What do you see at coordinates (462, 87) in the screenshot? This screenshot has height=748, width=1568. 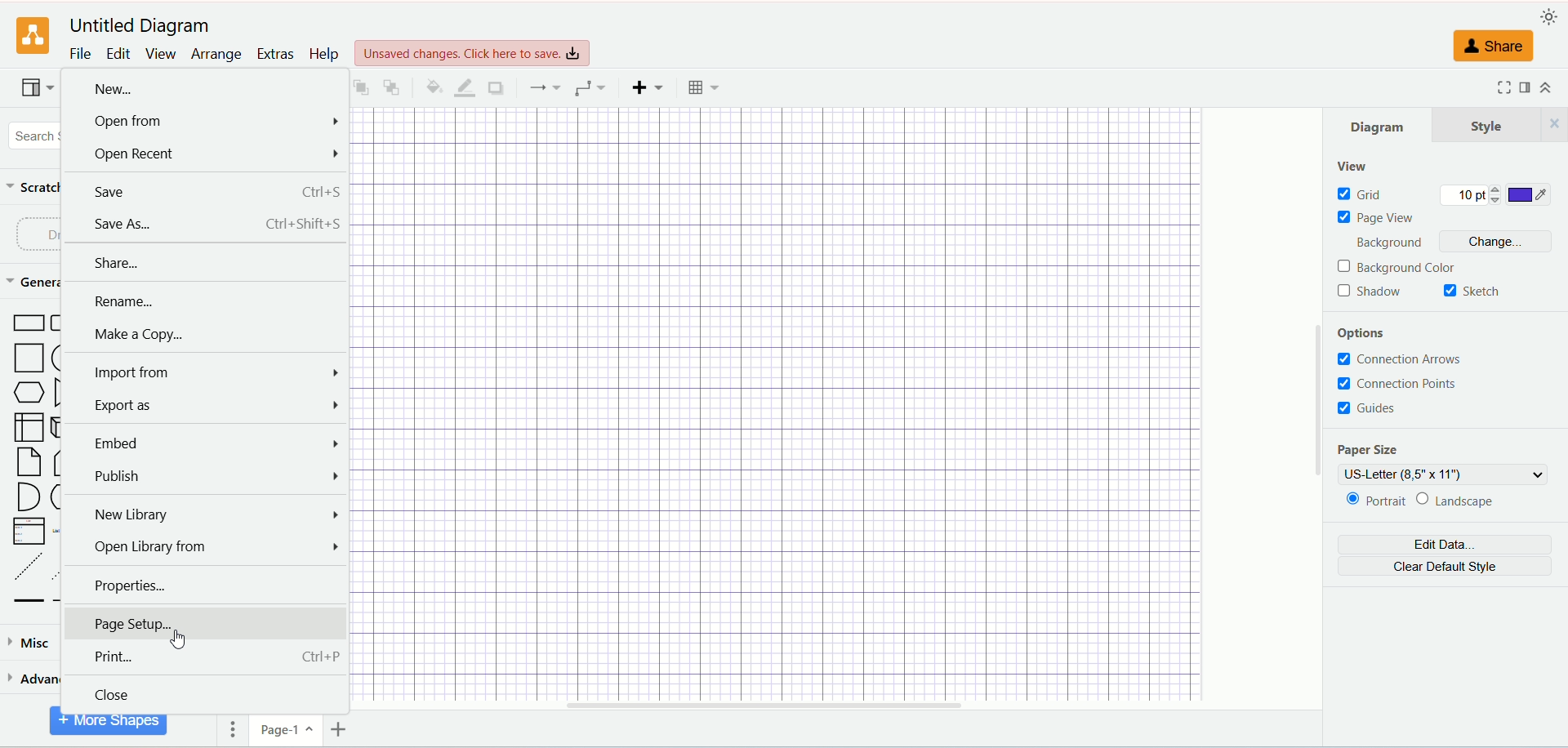 I see `line color` at bounding box center [462, 87].